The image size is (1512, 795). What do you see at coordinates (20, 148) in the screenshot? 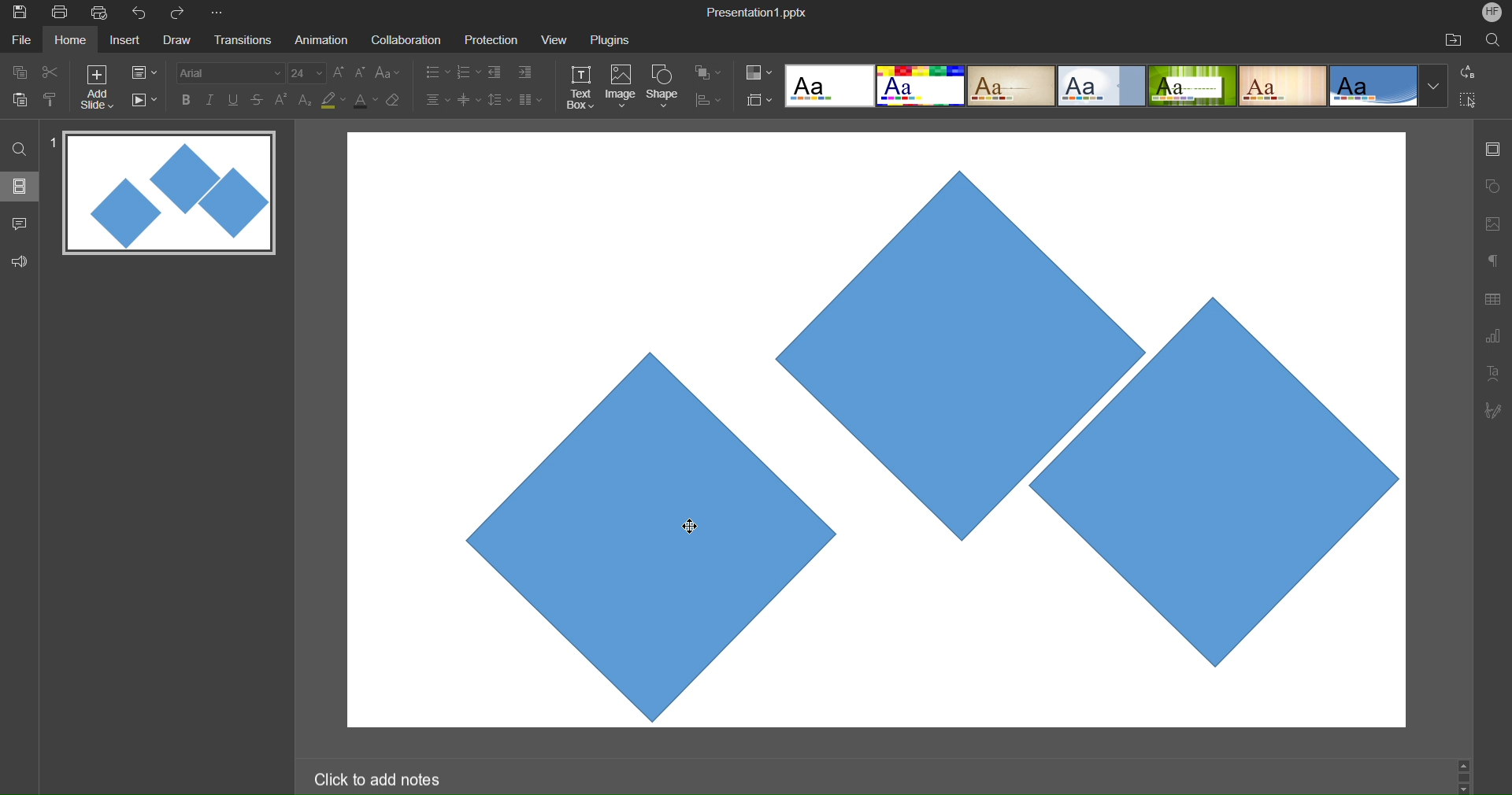
I see `search` at bounding box center [20, 148].